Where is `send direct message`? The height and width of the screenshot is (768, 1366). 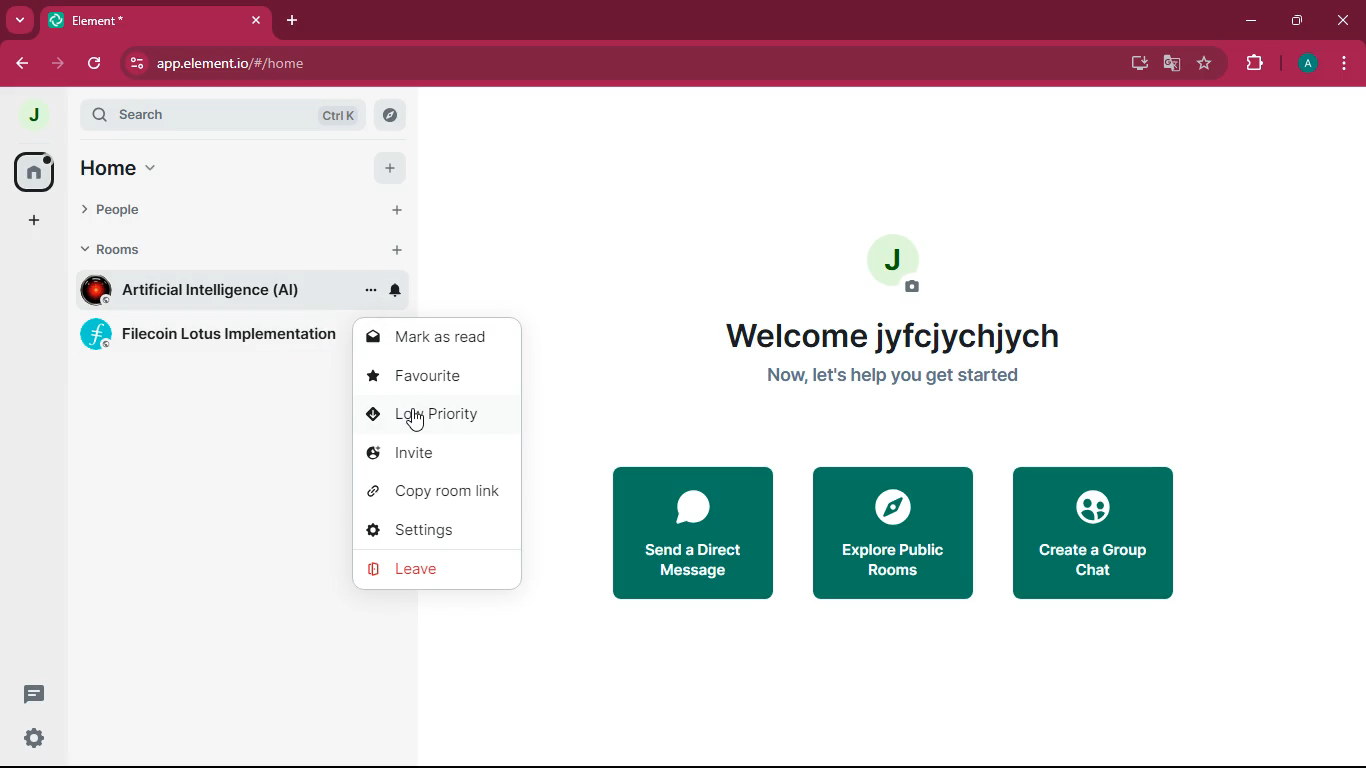
send direct message is located at coordinates (690, 534).